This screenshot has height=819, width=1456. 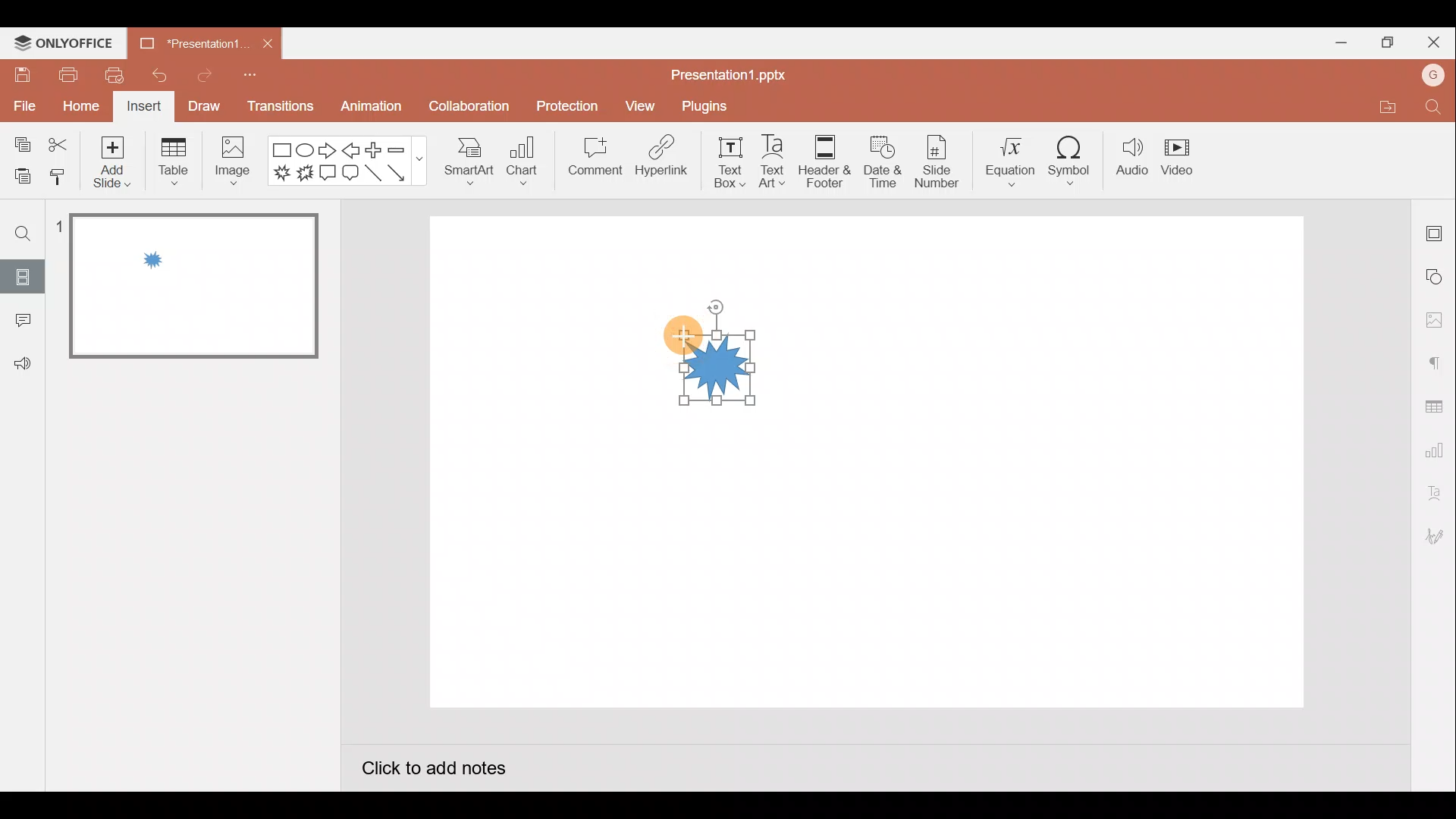 I want to click on G, so click(x=1434, y=73).